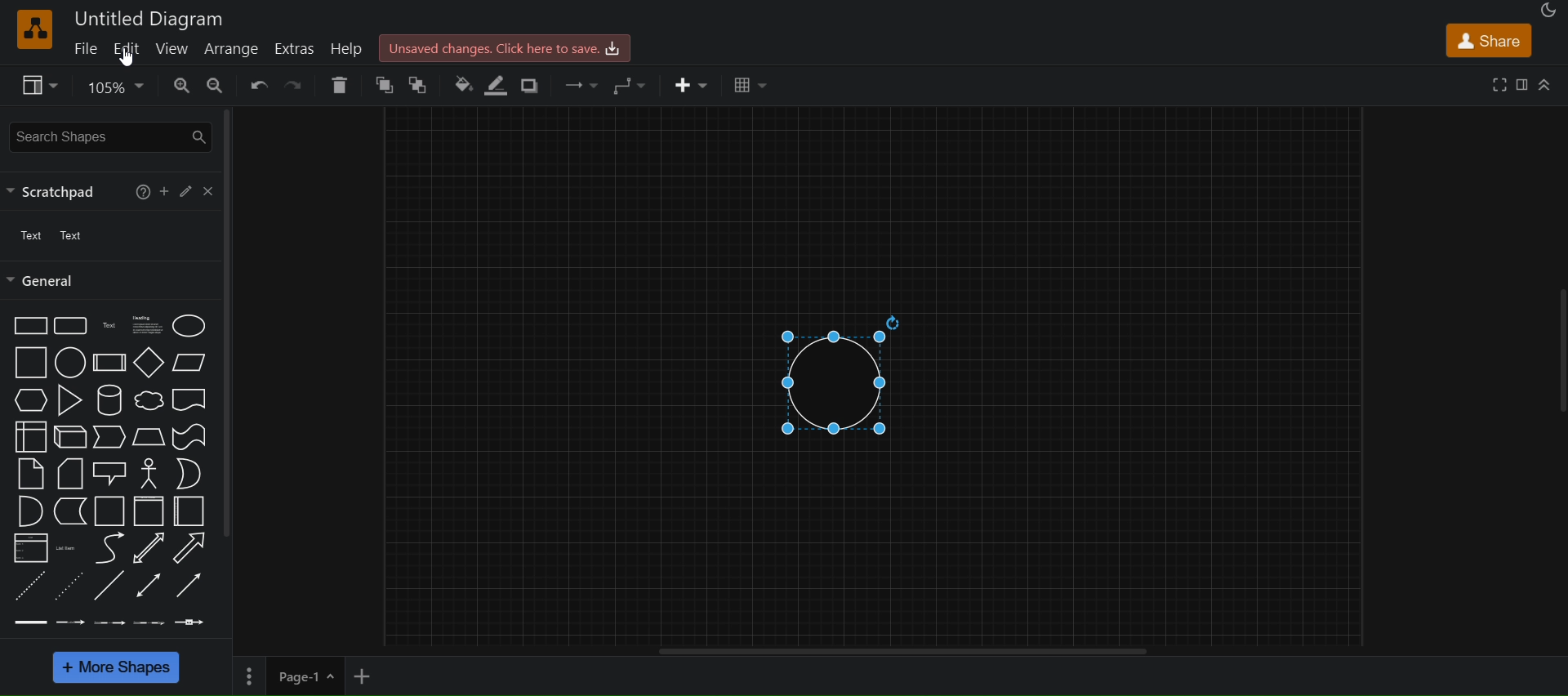 Image resolution: width=1568 pixels, height=696 pixels. What do you see at coordinates (33, 30) in the screenshot?
I see `logo` at bounding box center [33, 30].